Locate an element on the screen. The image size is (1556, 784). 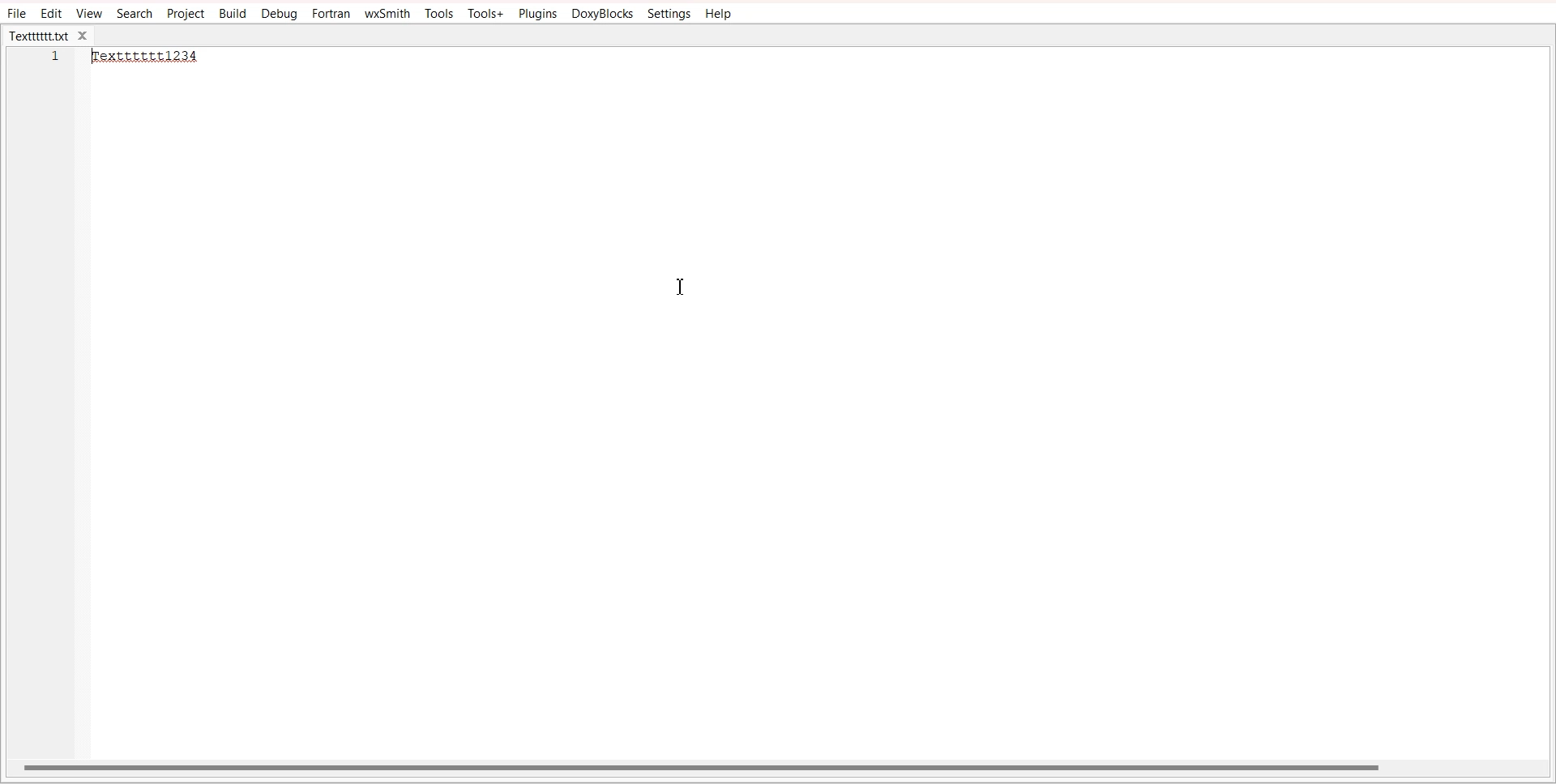
File is located at coordinates (15, 12).